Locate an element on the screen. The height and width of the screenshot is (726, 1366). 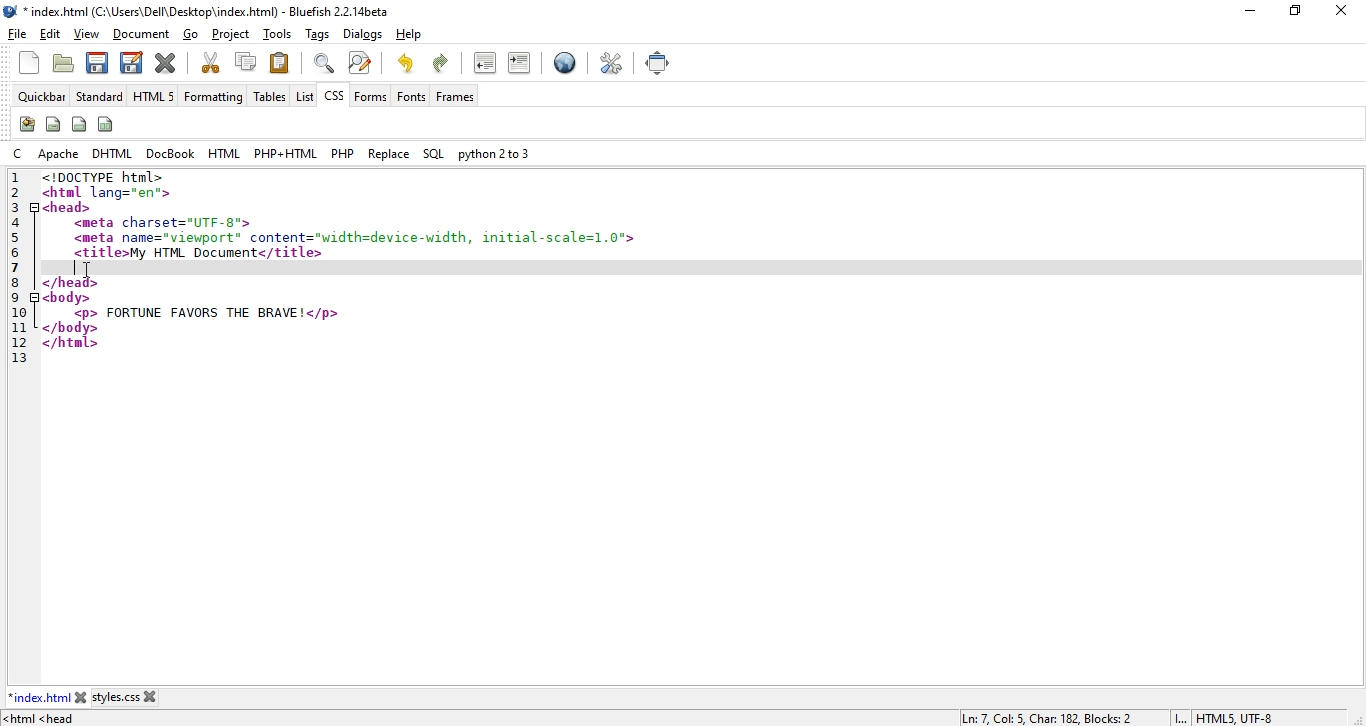
save file as is located at coordinates (130, 61).